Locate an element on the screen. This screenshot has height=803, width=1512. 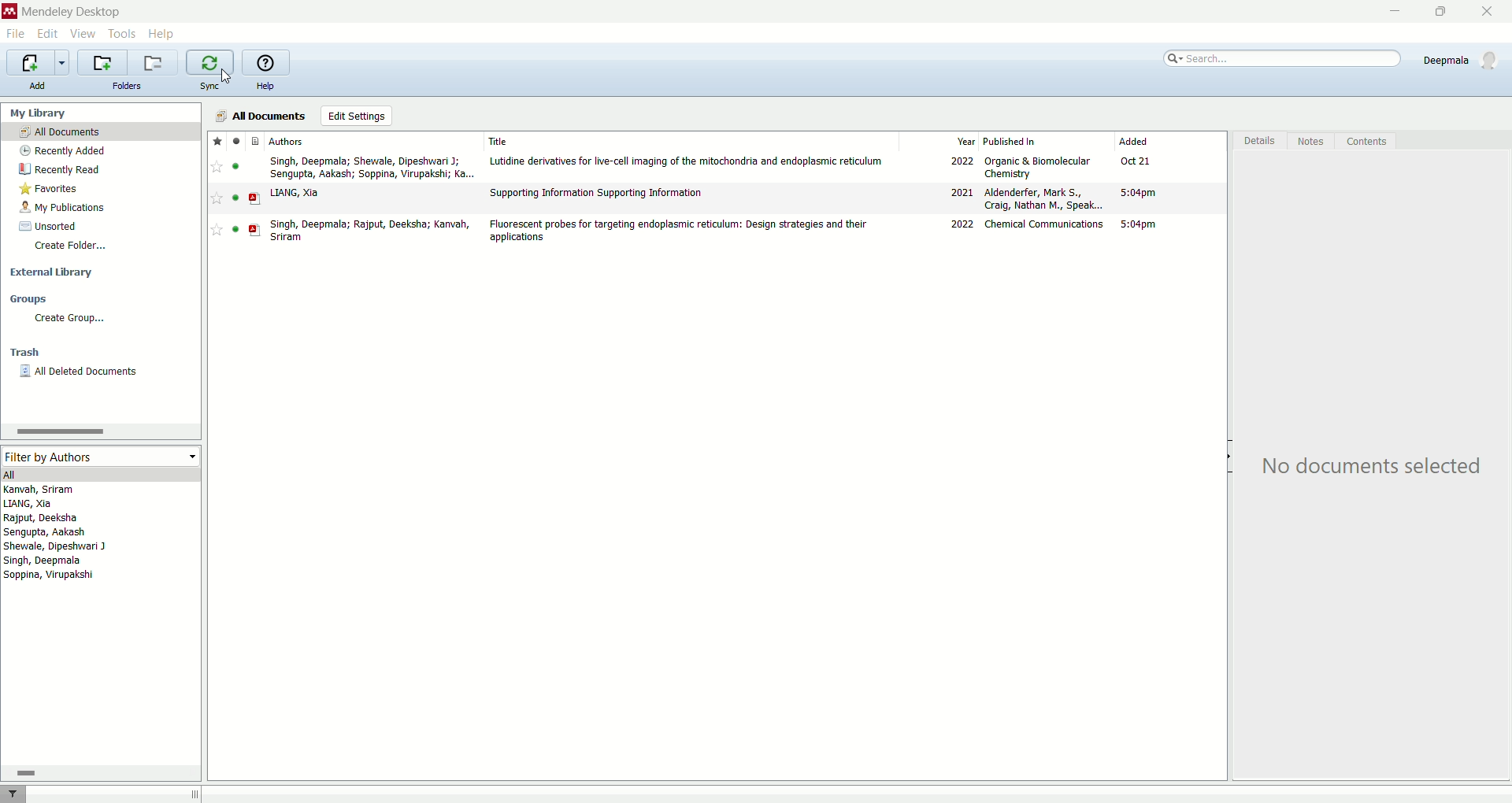
Aldenderfer, Mark S.,
Craig, Nathan M., Speak... is located at coordinates (1045, 198).